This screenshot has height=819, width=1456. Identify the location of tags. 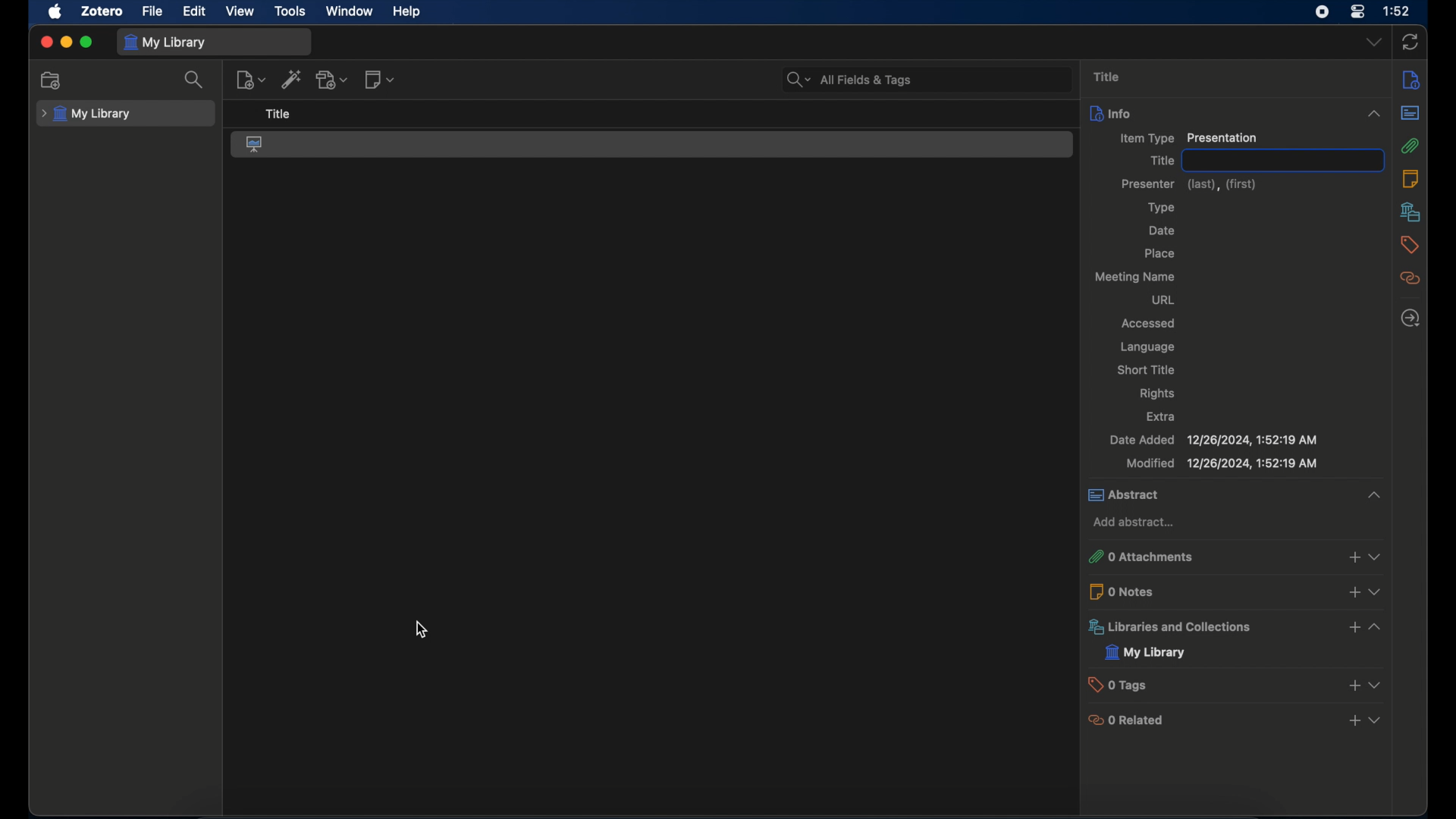
(1410, 245).